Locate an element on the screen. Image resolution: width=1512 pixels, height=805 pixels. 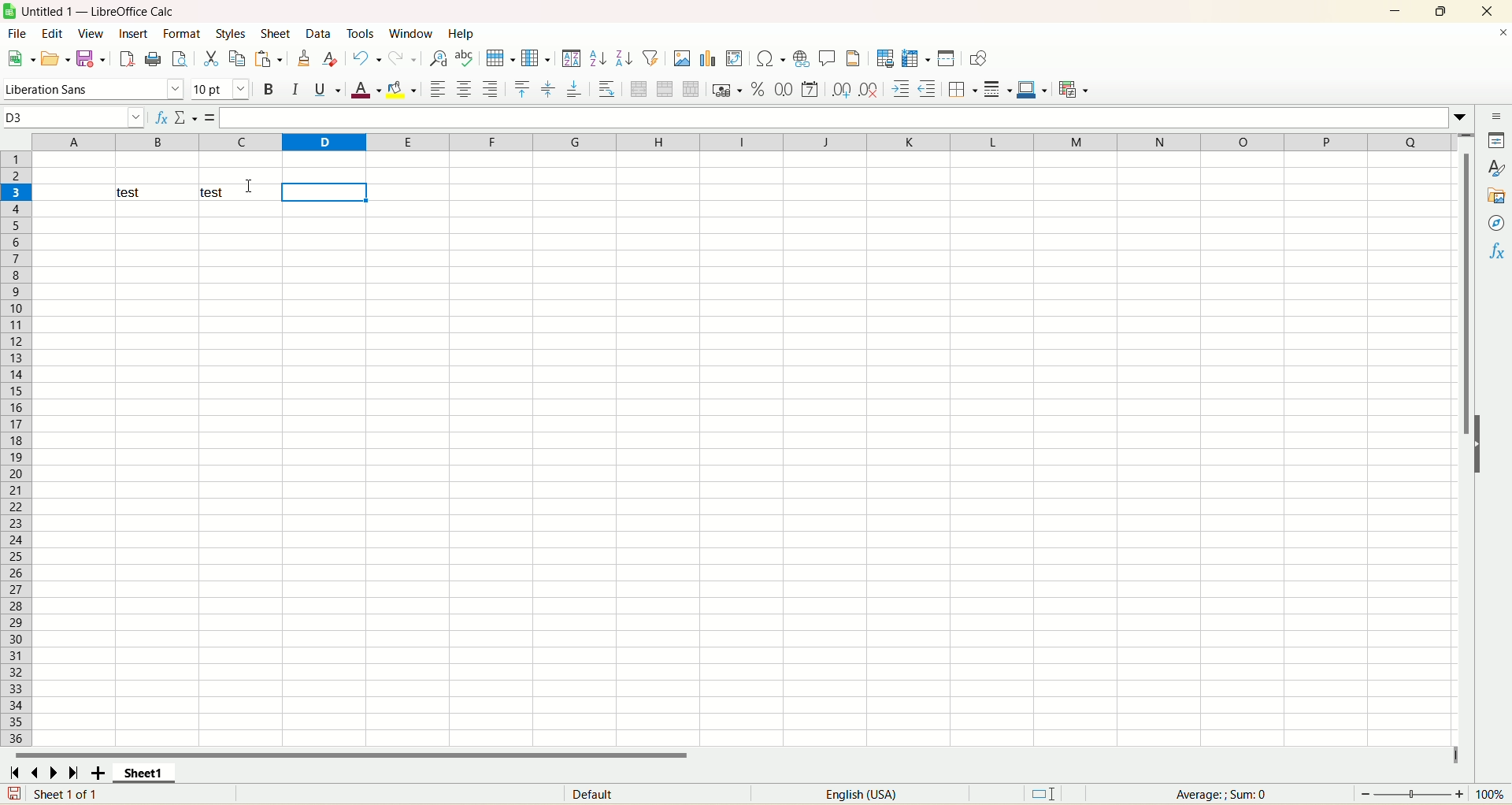
test is located at coordinates (156, 192).